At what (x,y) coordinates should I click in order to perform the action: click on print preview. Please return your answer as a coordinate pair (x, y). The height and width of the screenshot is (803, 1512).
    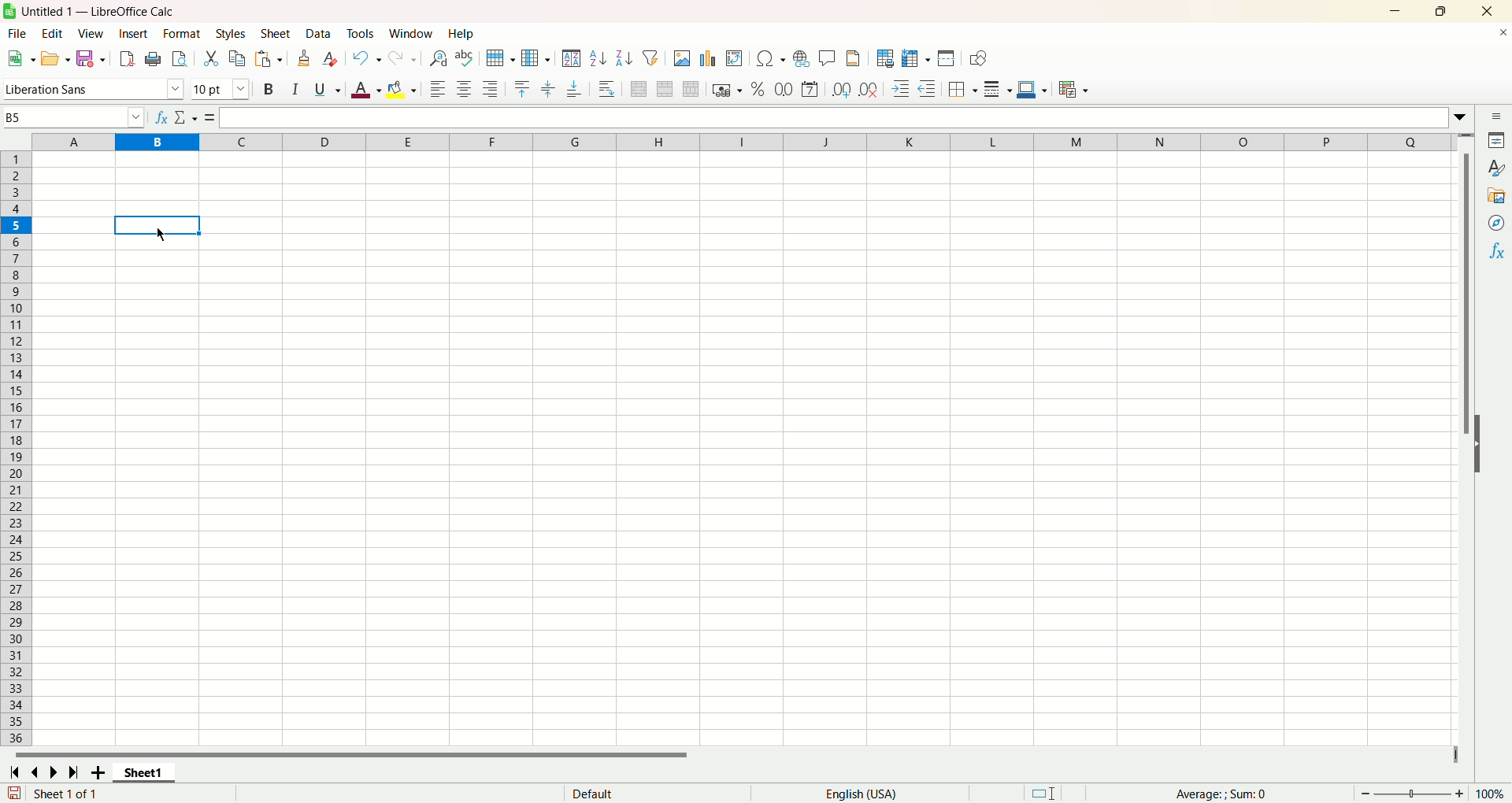
    Looking at the image, I should click on (180, 57).